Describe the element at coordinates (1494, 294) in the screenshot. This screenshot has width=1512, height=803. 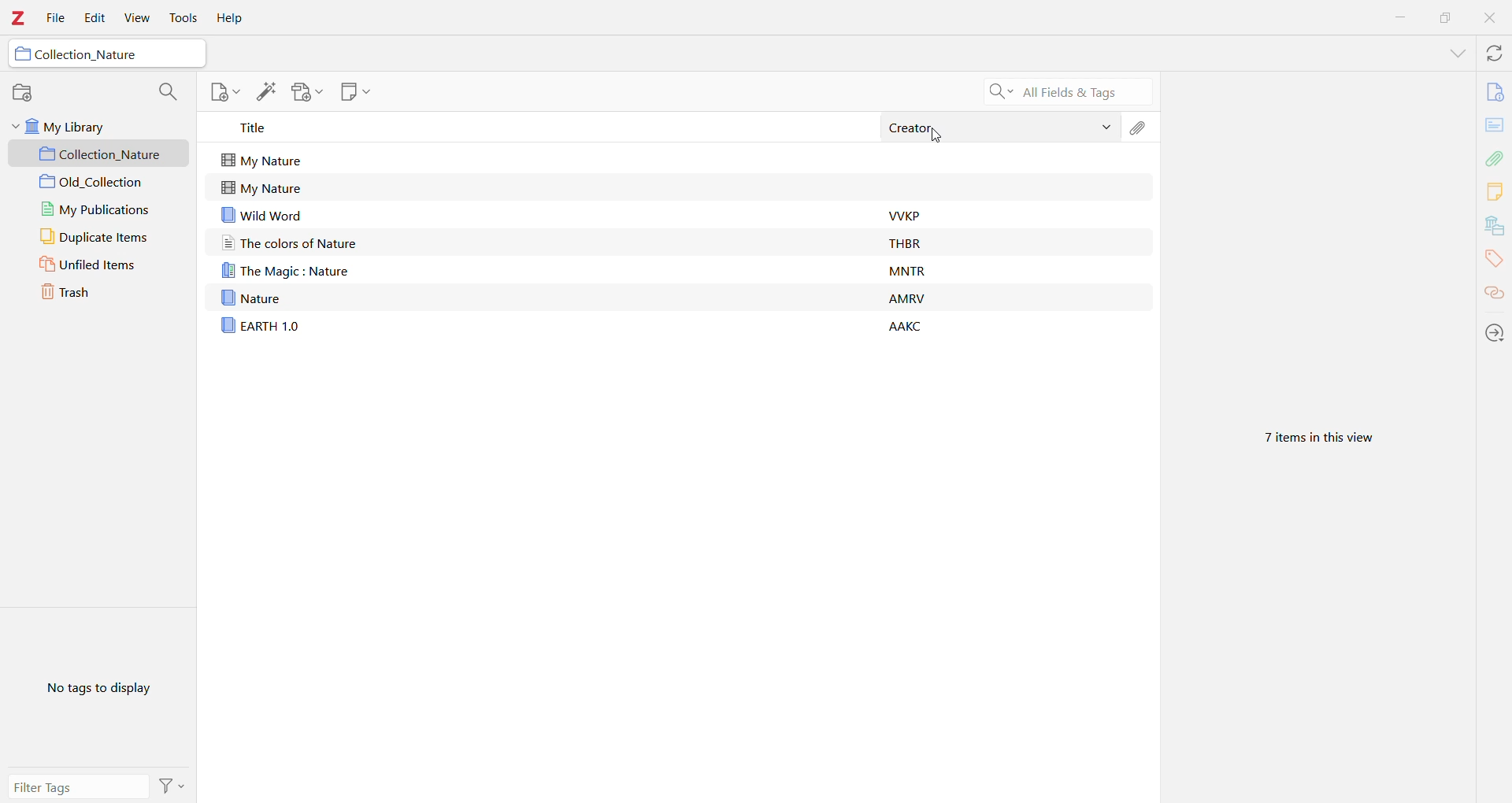
I see `Related` at that location.